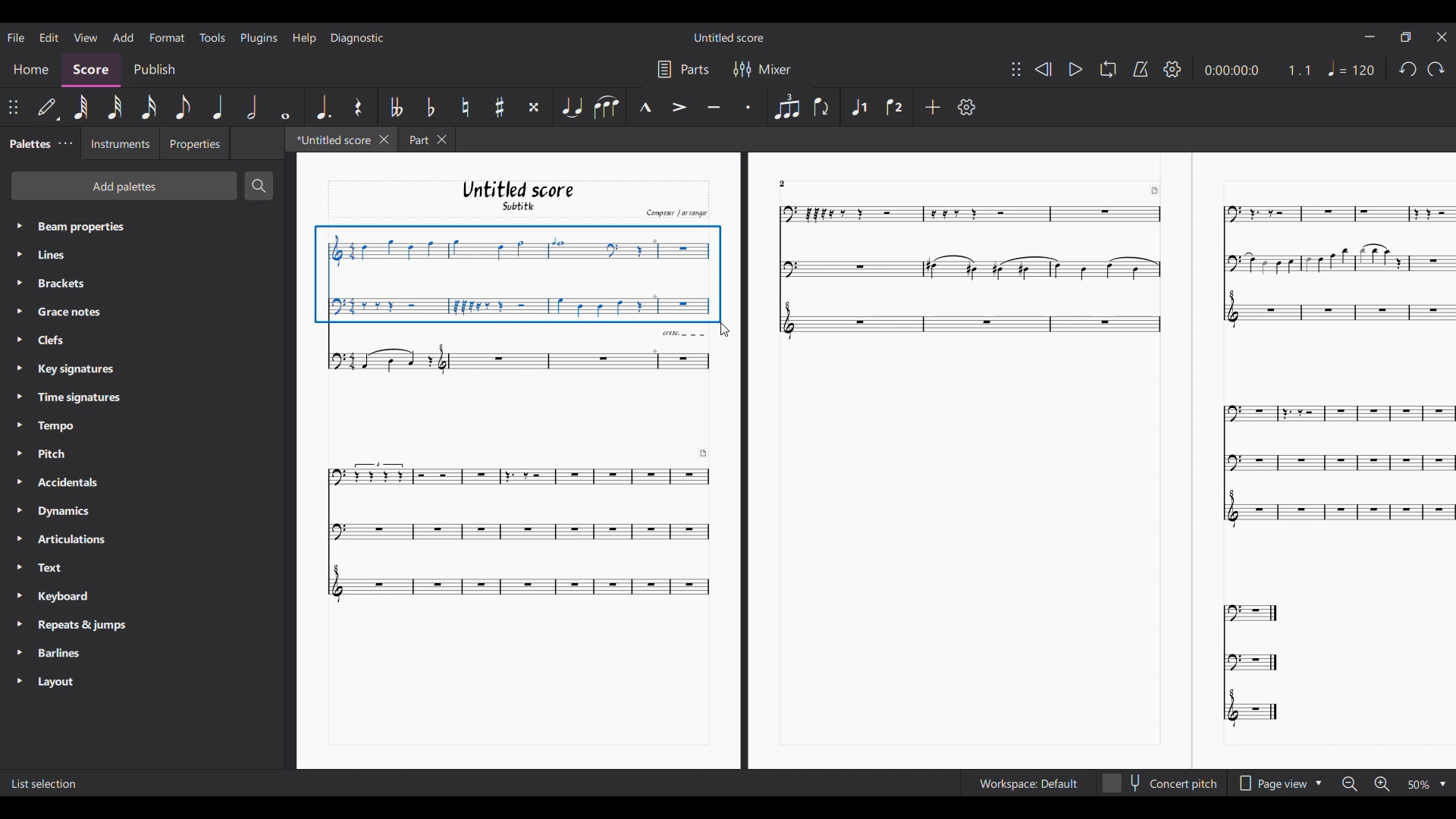 This screenshot has width=1456, height=819. Describe the element at coordinates (726, 330) in the screenshot. I see `Cursor` at that location.